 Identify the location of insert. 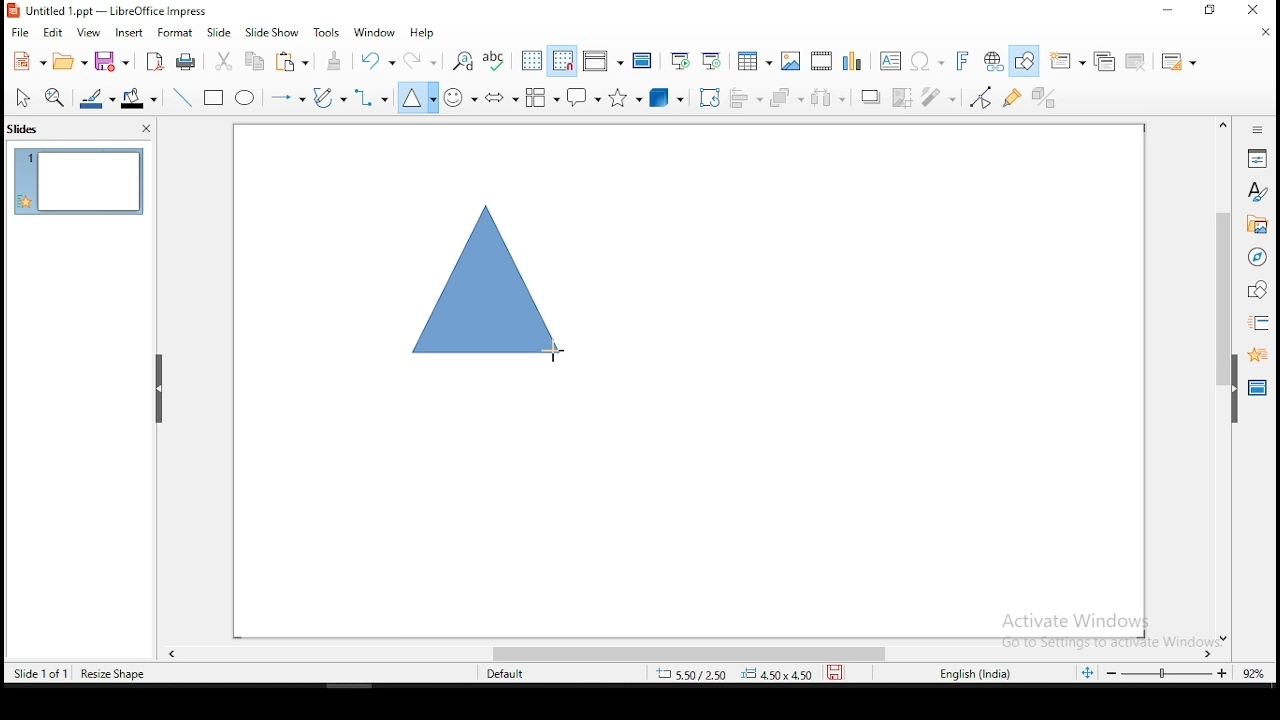
(131, 32).